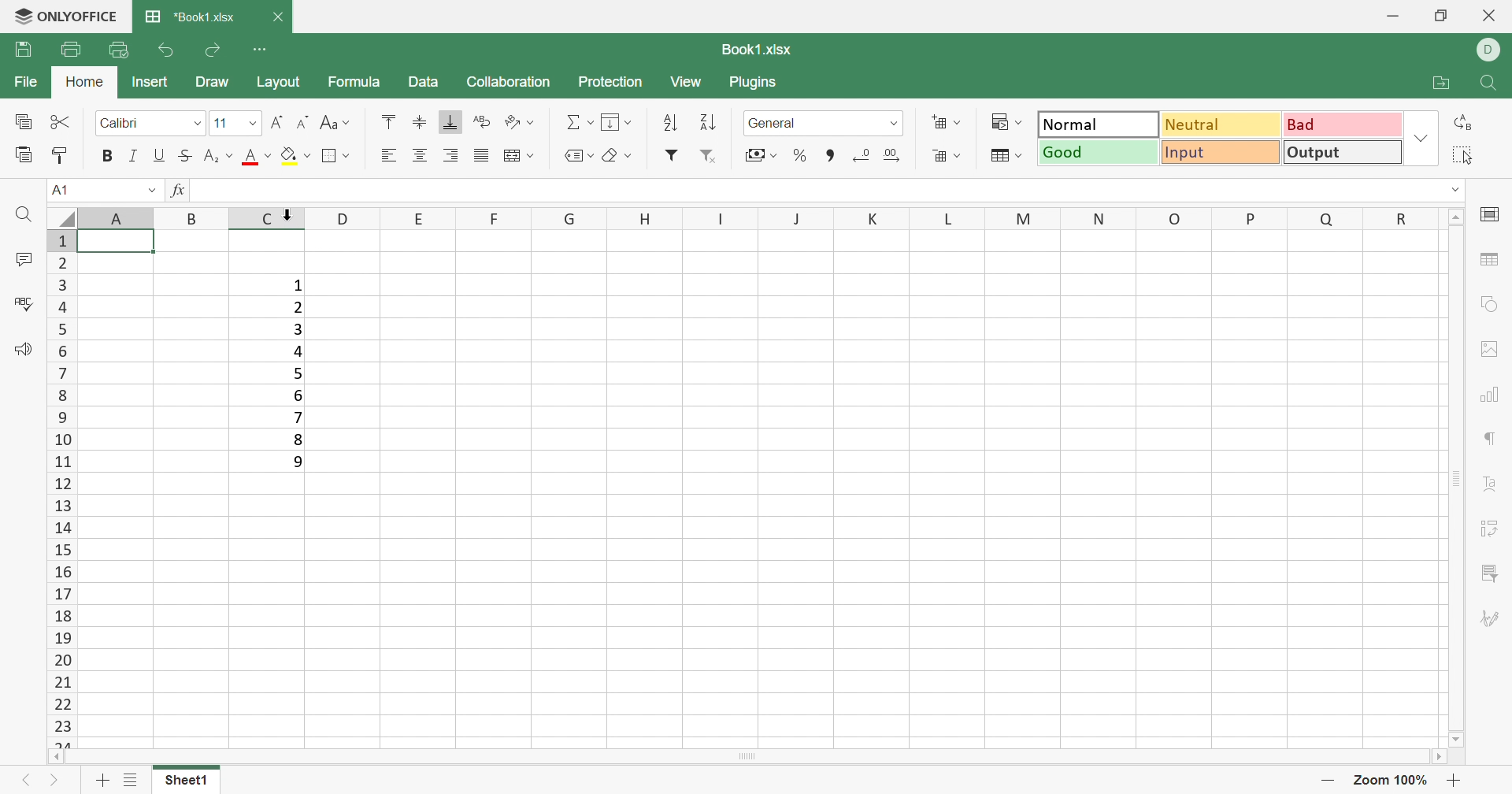 The width and height of the screenshot is (1512, 794). Describe the element at coordinates (300, 416) in the screenshot. I see `7` at that location.